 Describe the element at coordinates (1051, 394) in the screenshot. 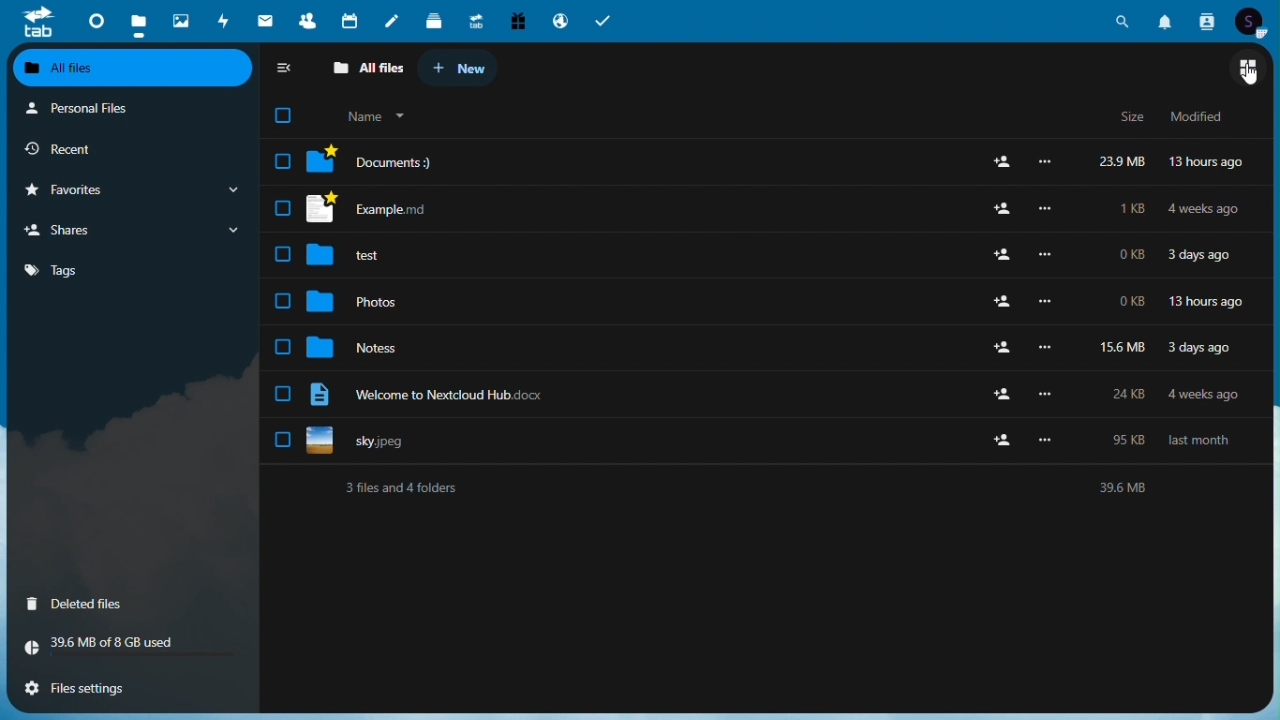

I see `` at that location.